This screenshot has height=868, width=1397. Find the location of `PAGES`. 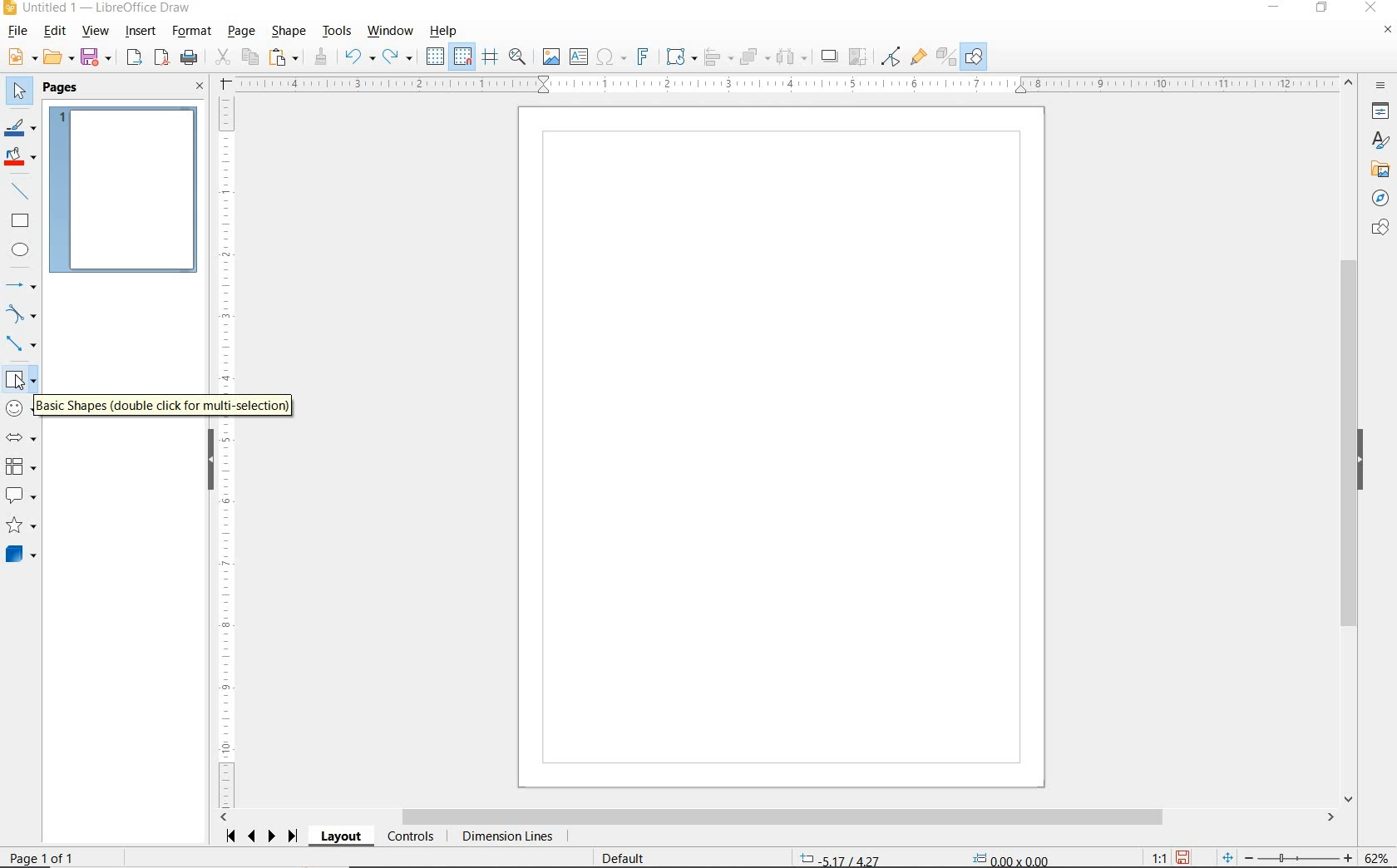

PAGES is located at coordinates (62, 89).